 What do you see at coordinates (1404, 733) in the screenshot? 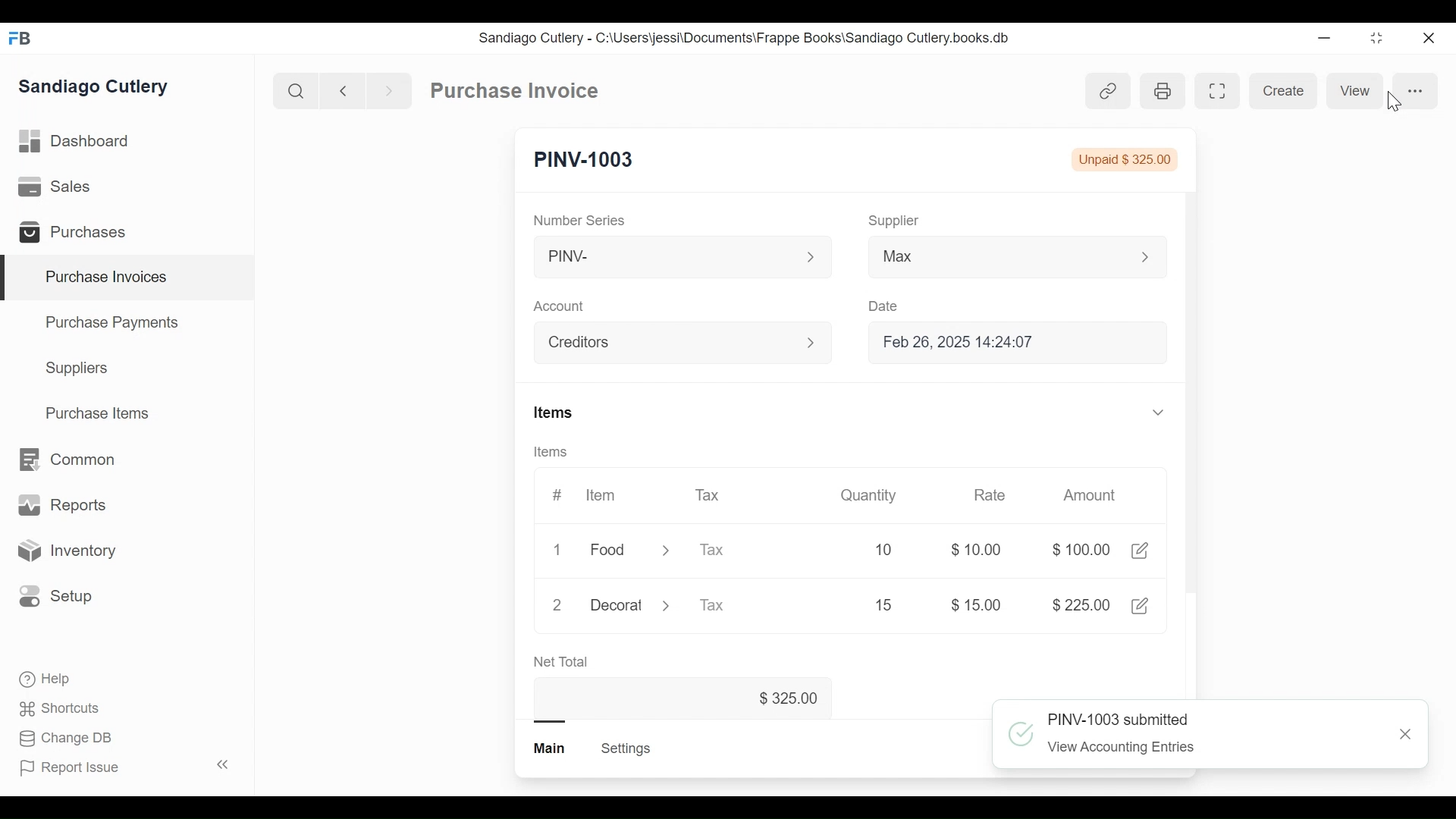
I see `close` at bounding box center [1404, 733].